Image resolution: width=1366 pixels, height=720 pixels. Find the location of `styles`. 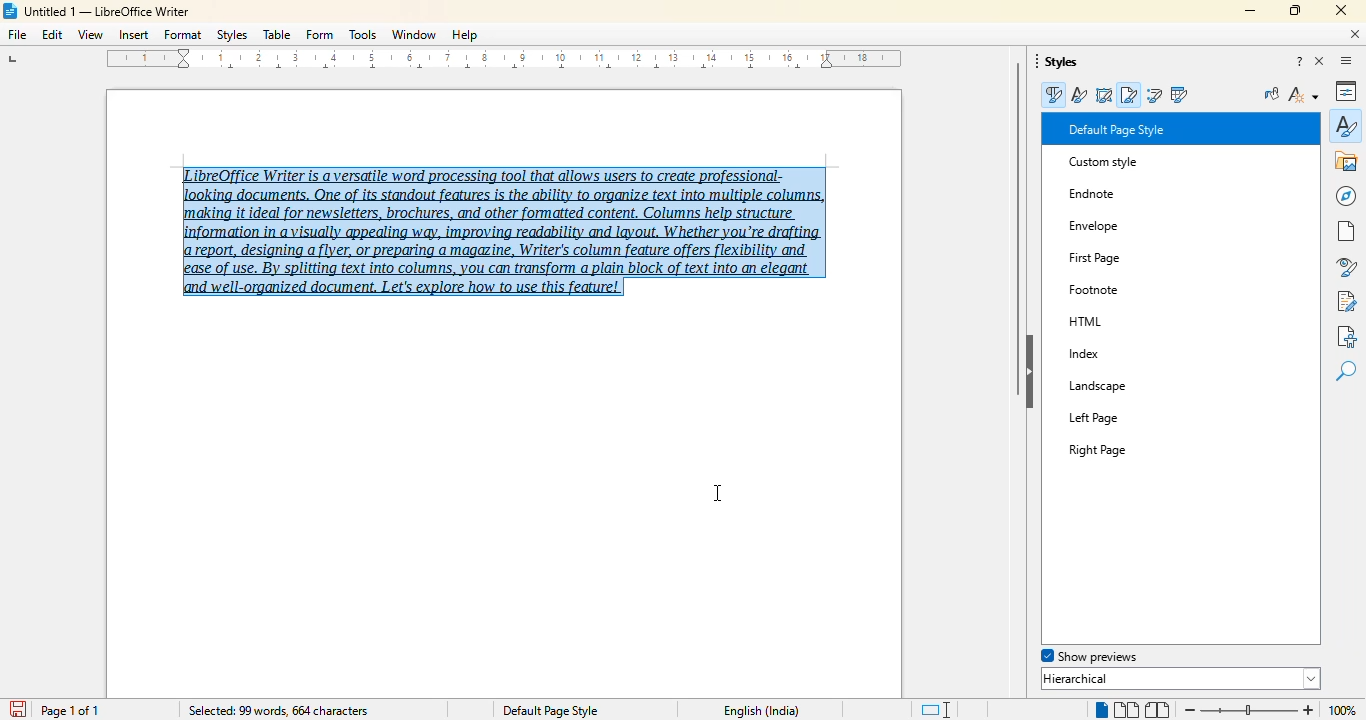

styles is located at coordinates (1346, 125).